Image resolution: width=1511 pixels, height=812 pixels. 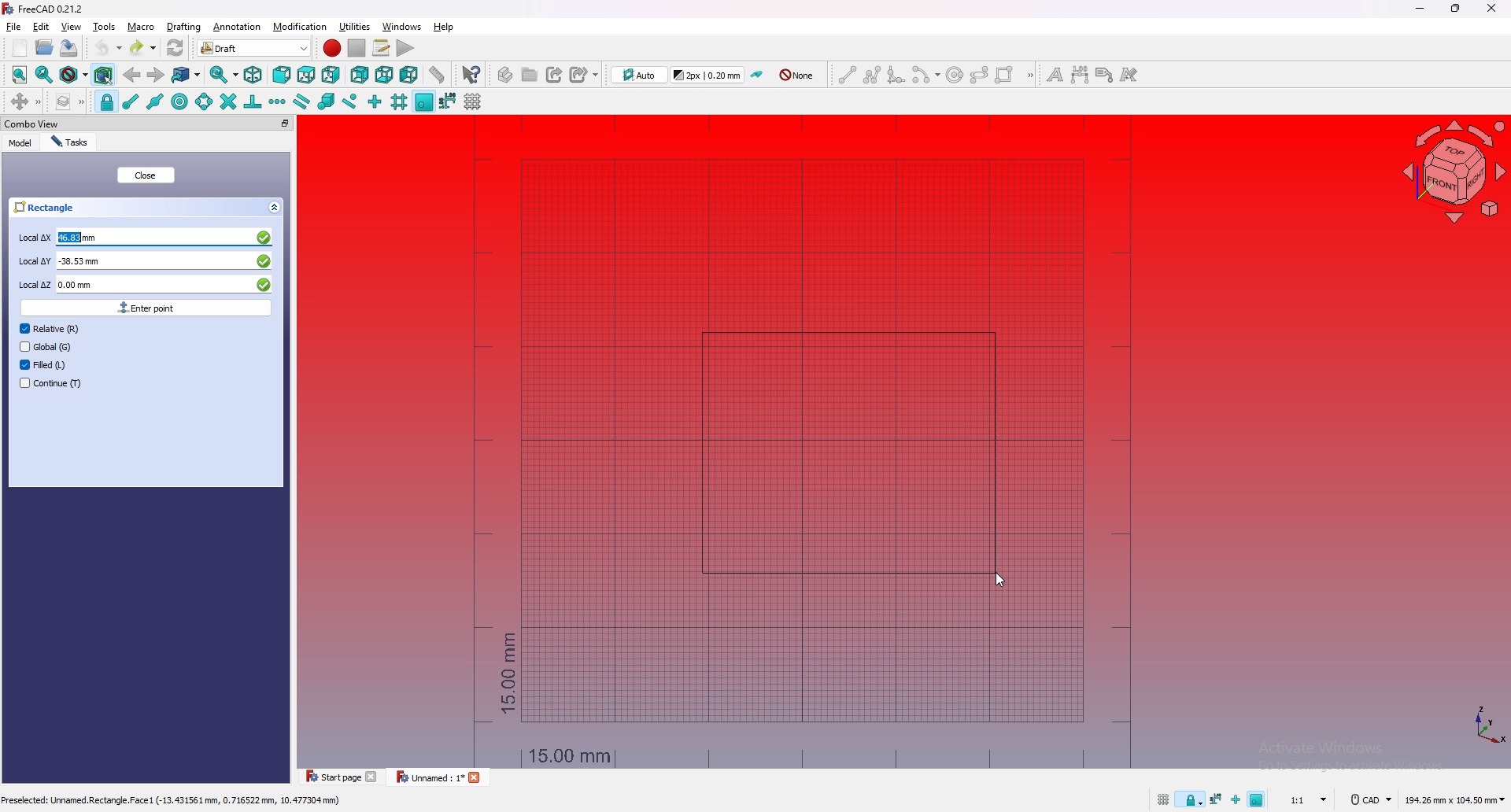 I want to click on bottom, so click(x=383, y=76).